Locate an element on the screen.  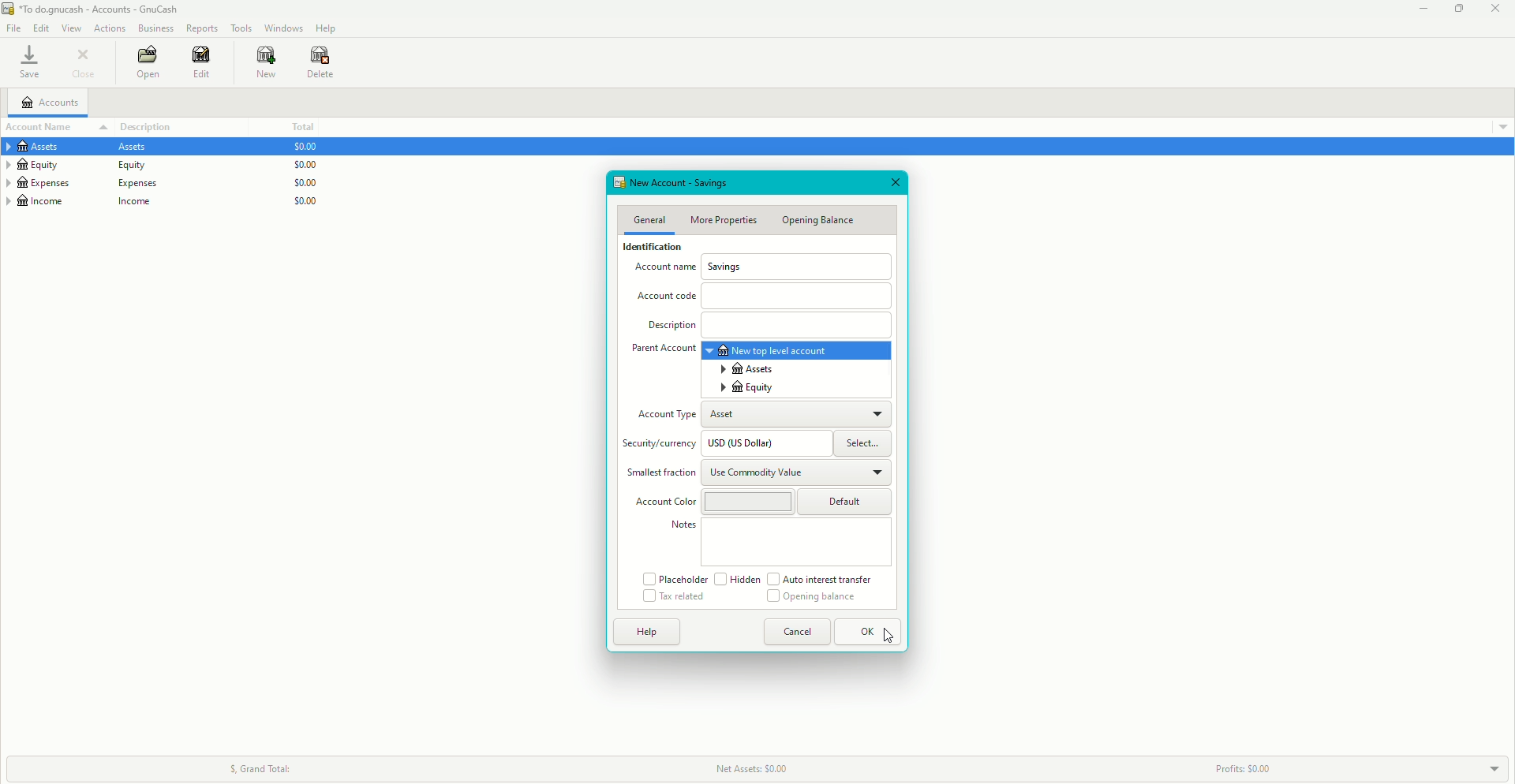
Account Color is located at coordinates (664, 502).